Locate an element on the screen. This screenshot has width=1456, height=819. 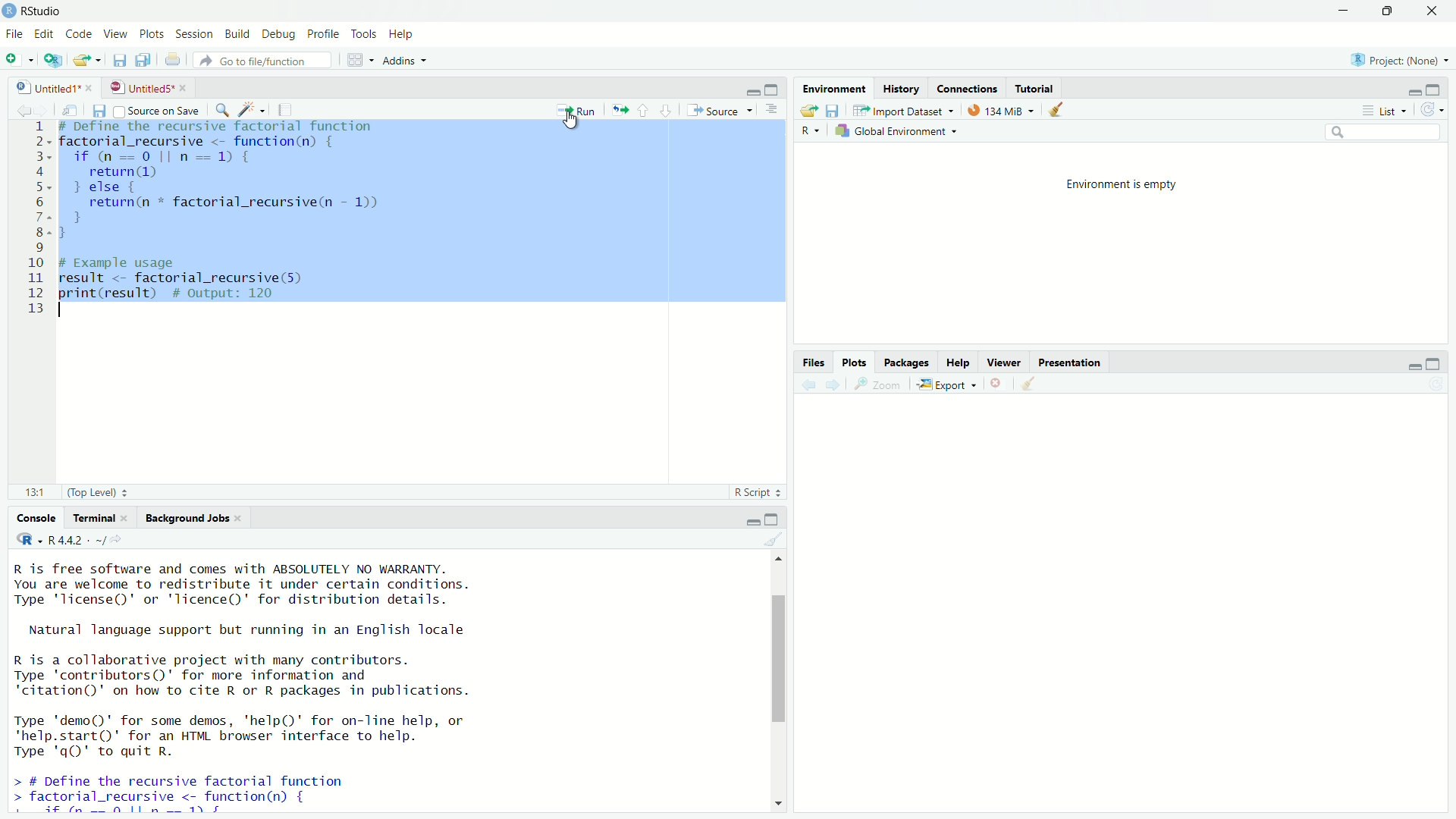
Presentation is located at coordinates (1071, 361).